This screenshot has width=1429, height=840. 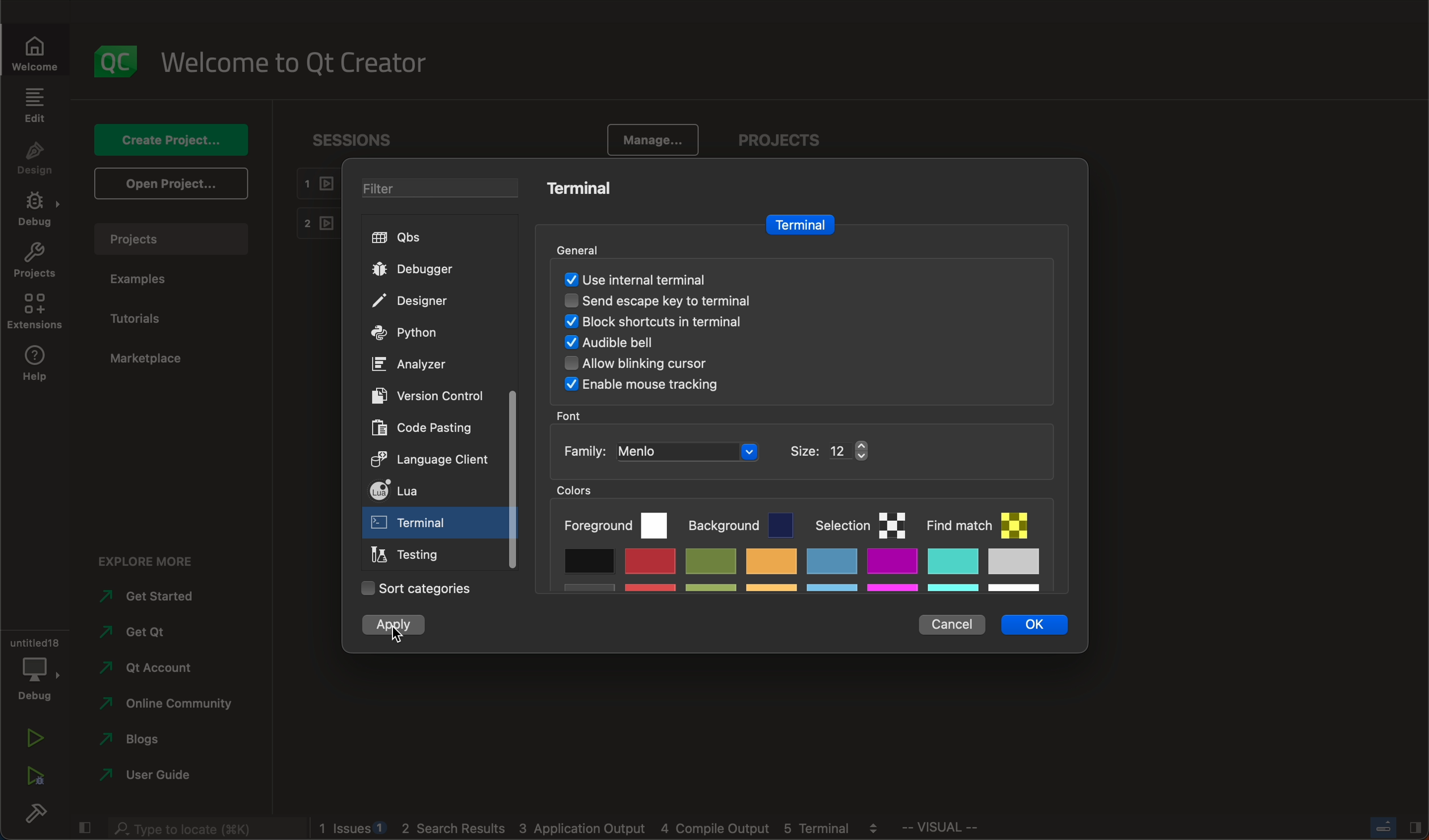 What do you see at coordinates (980, 830) in the screenshot?
I see `visual` at bounding box center [980, 830].